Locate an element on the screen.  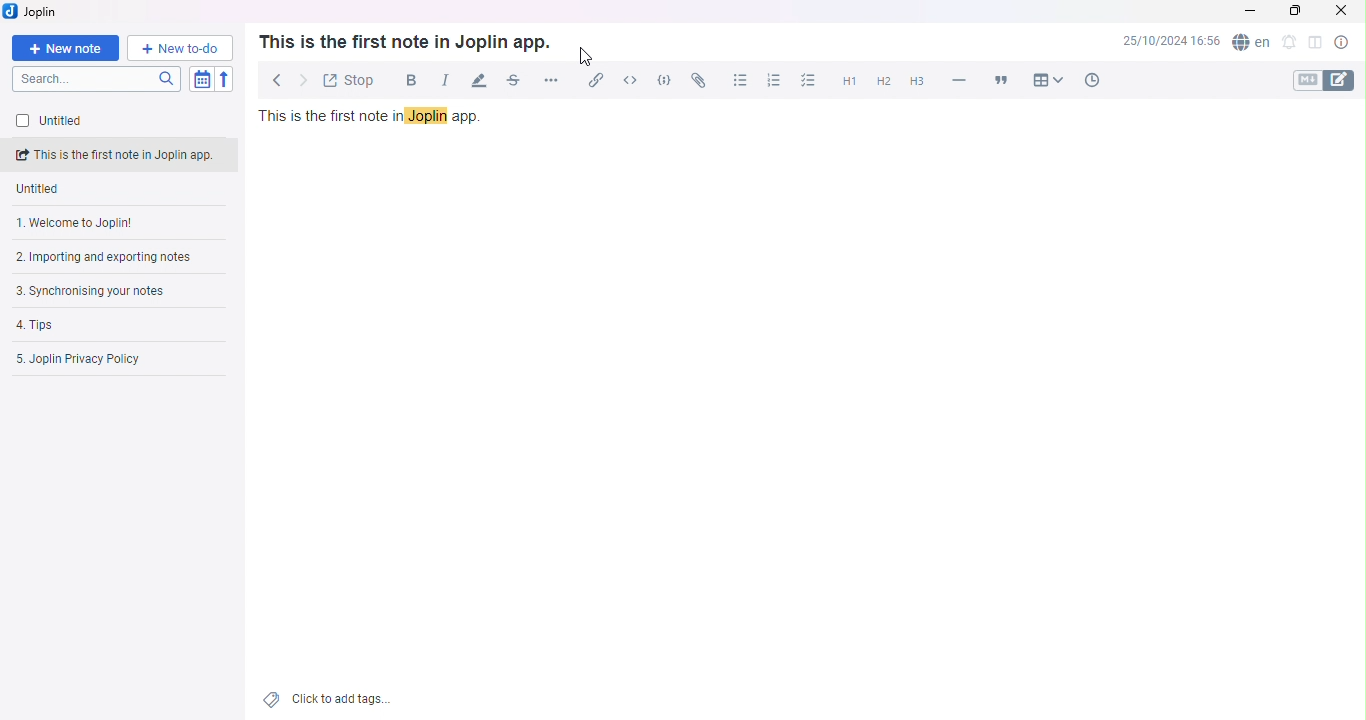
Heading 1 is located at coordinates (848, 82).